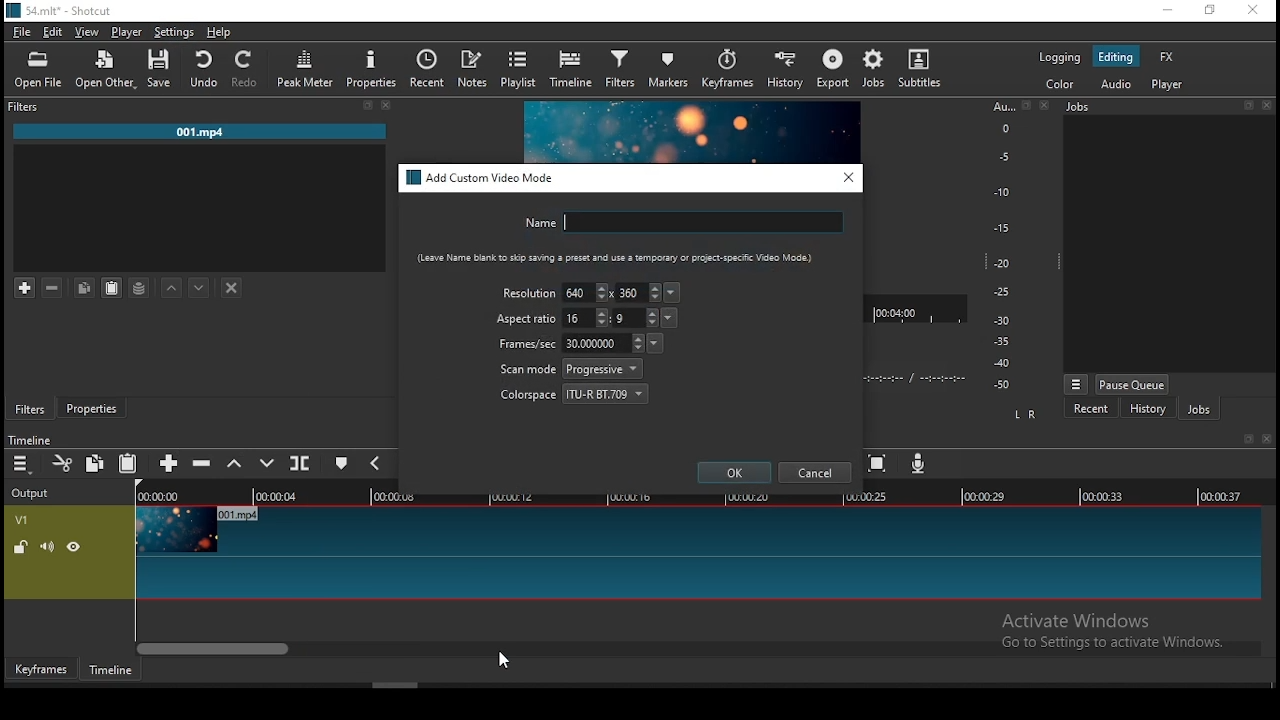 This screenshot has width=1280, height=720. I want to click on record audio, so click(919, 463).